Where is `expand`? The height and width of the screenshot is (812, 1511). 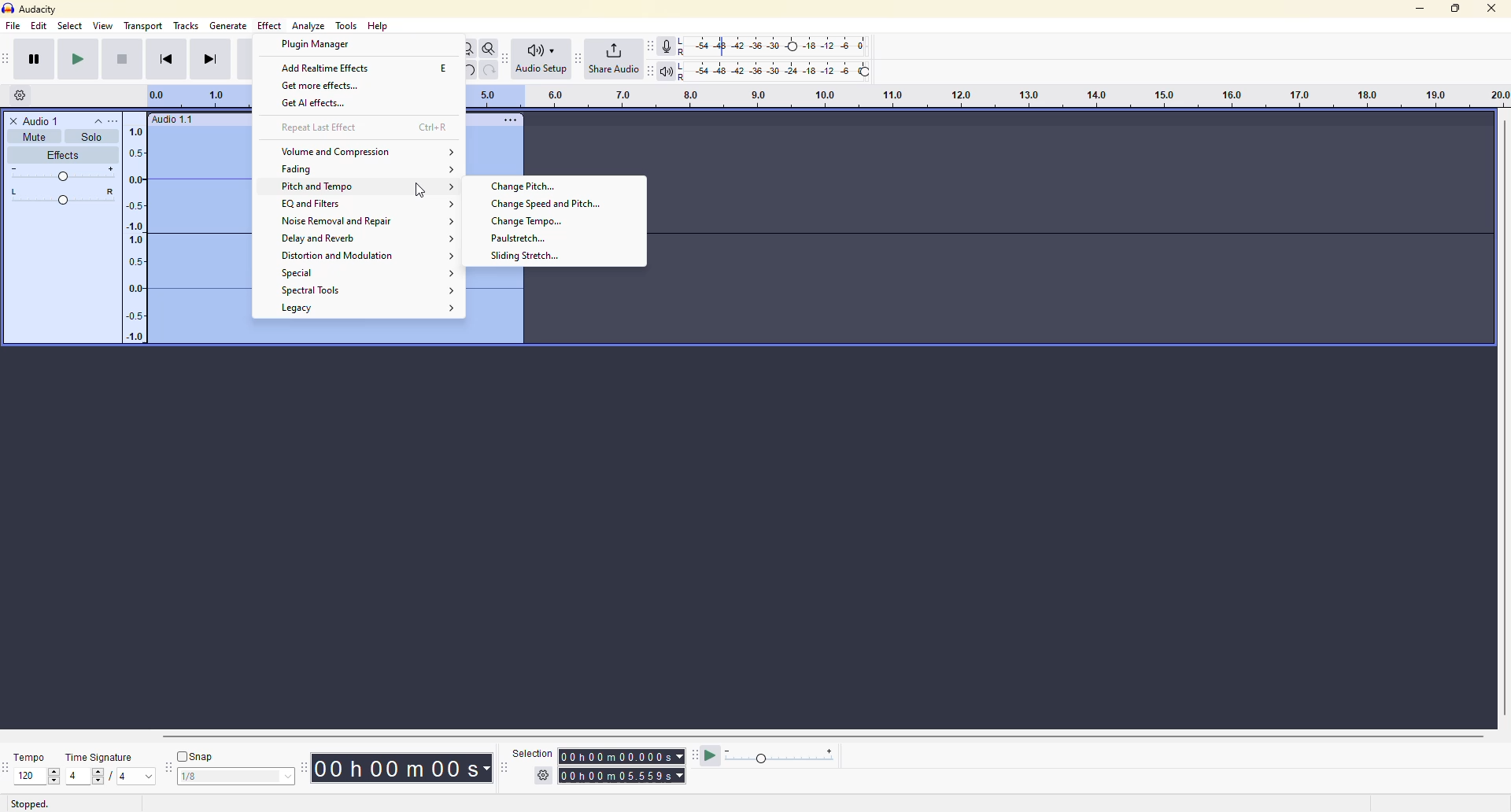 expand is located at coordinates (453, 170).